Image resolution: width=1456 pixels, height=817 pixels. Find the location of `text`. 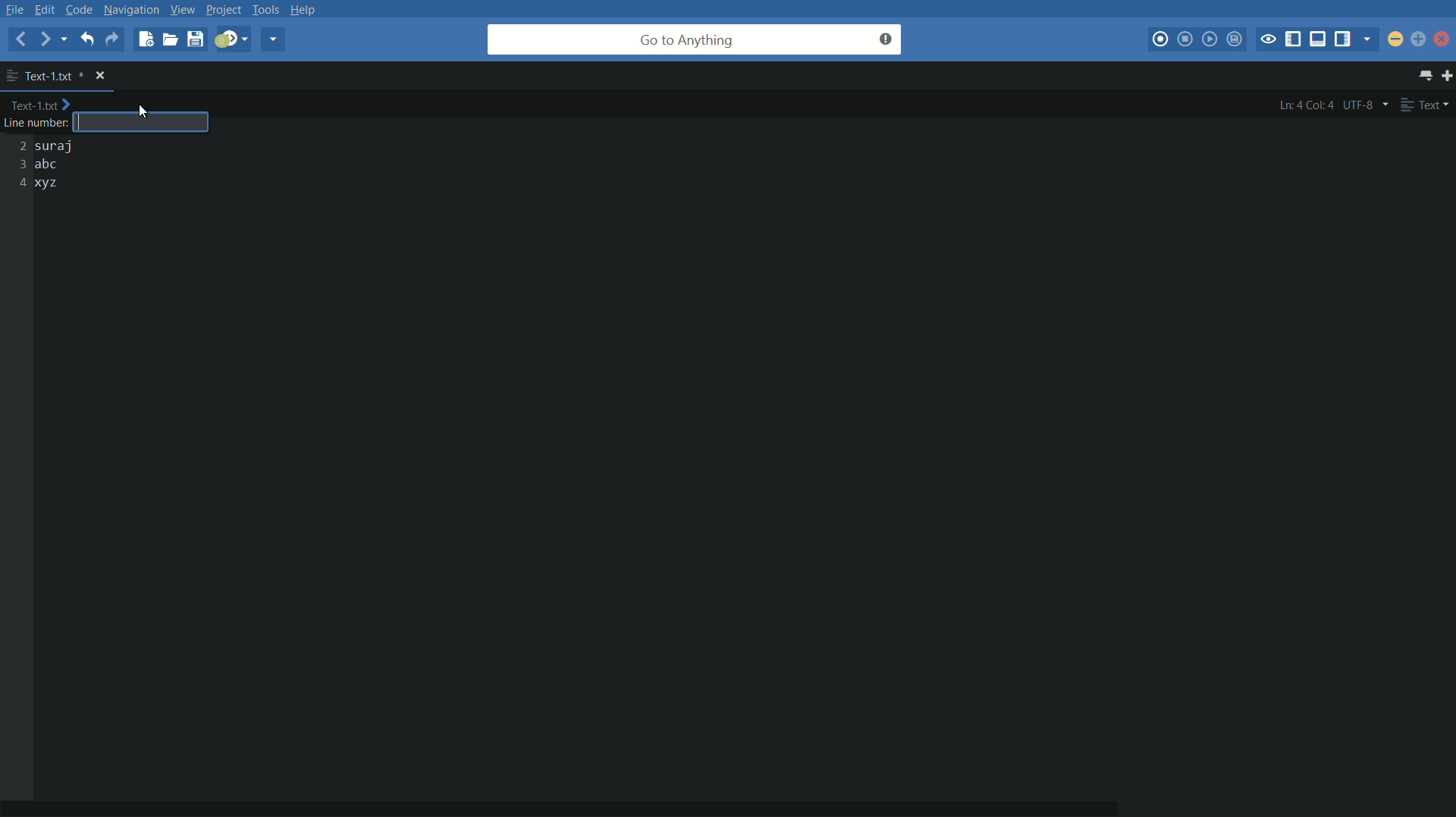

text is located at coordinates (1426, 105).